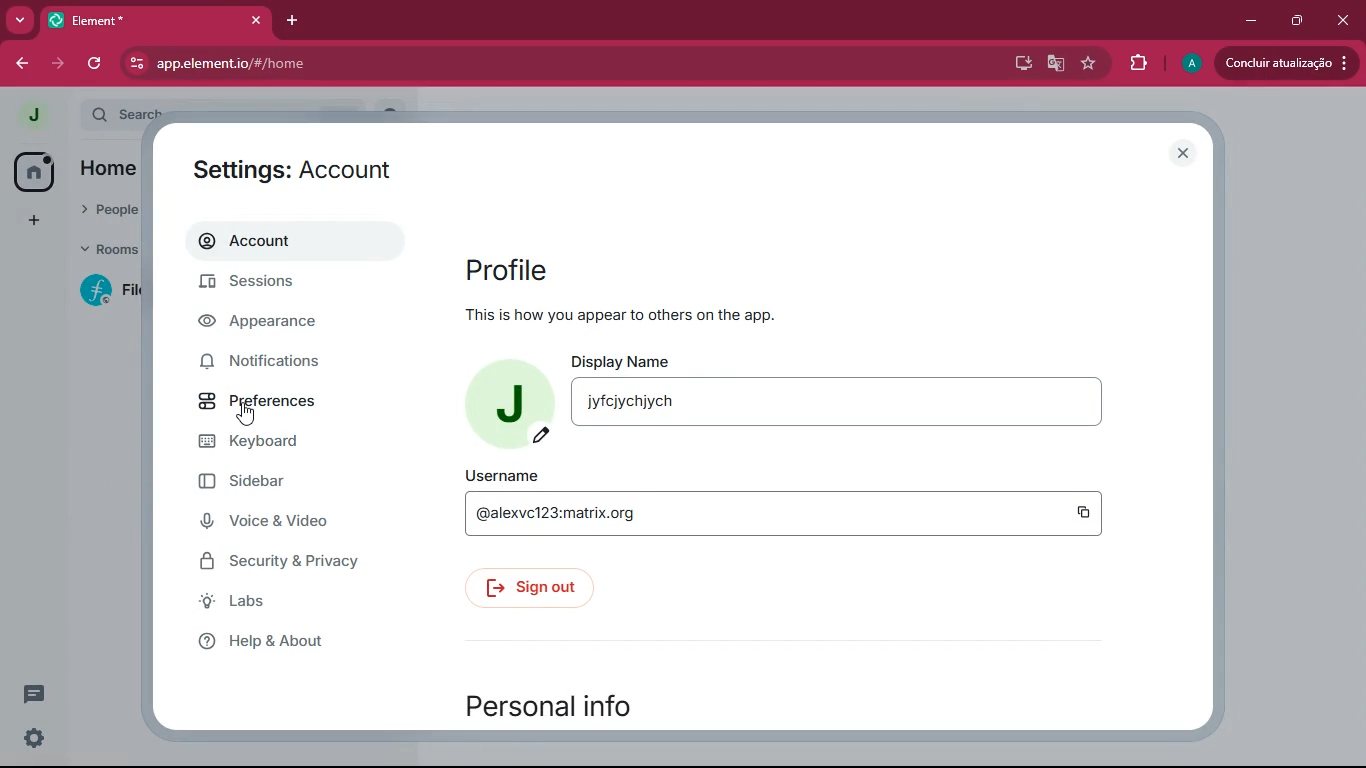 The image size is (1366, 768). I want to click on close tab, so click(260, 19).